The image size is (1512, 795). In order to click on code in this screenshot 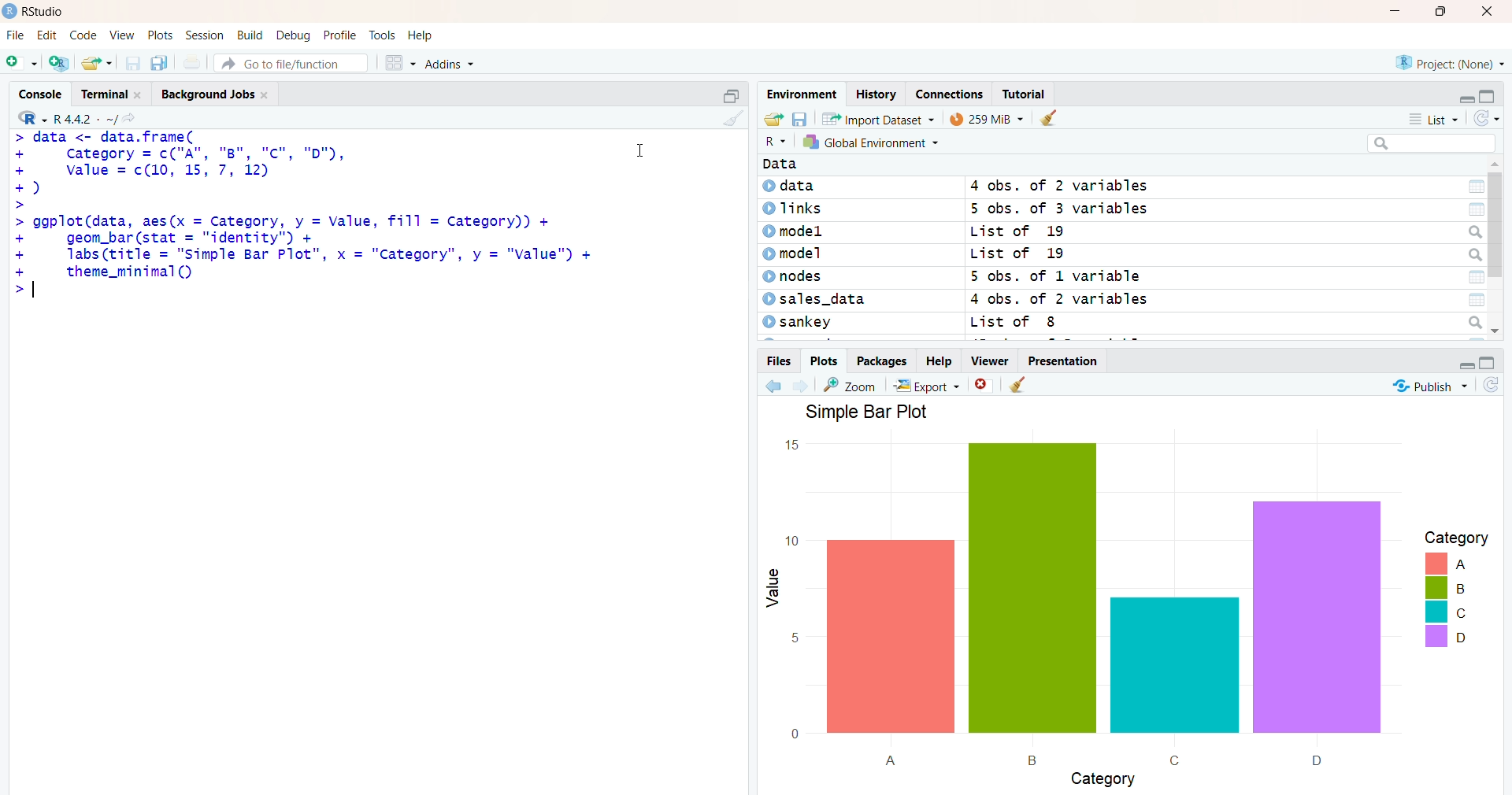, I will do `click(83, 35)`.